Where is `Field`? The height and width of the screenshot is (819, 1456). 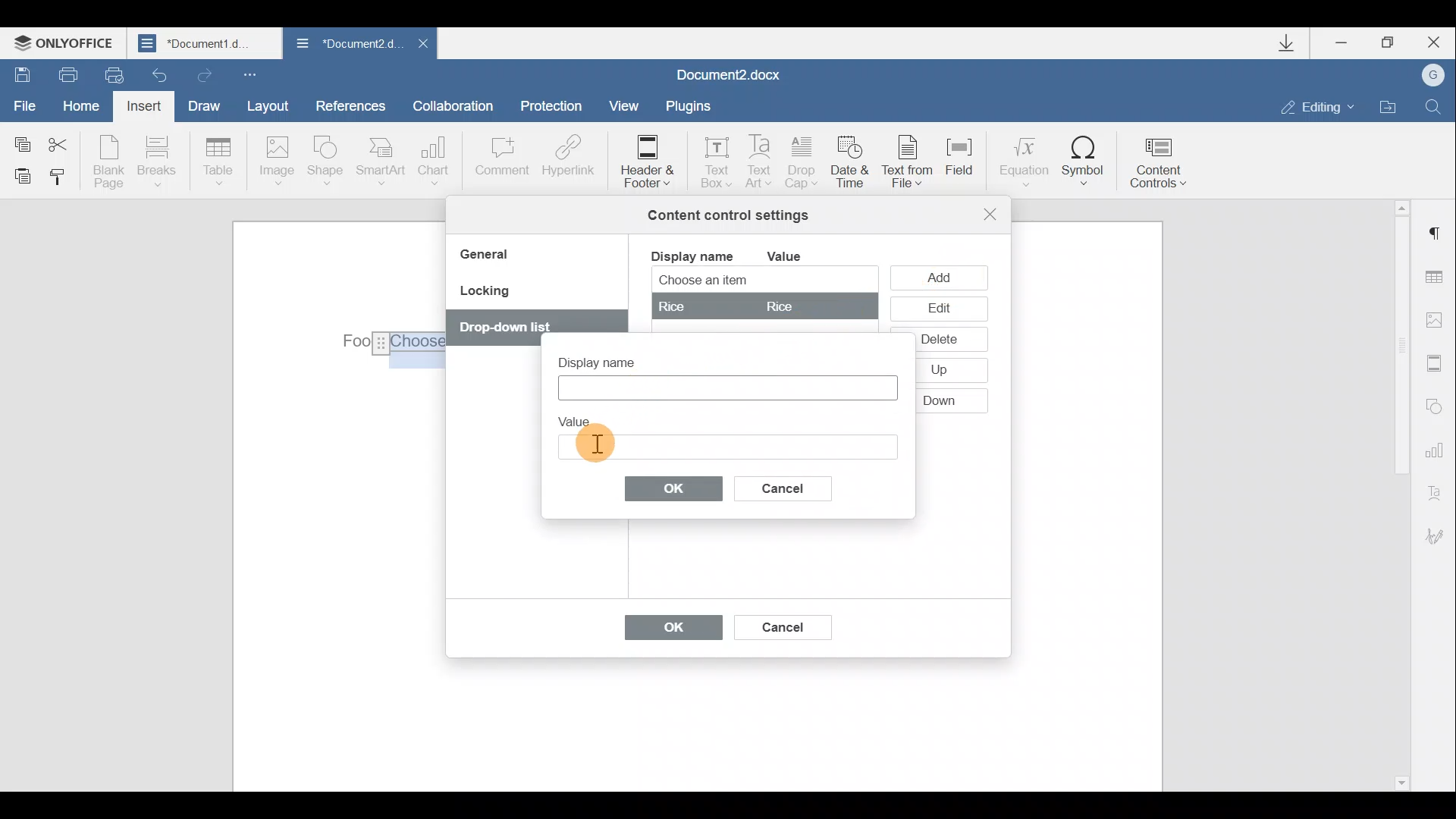 Field is located at coordinates (966, 166).